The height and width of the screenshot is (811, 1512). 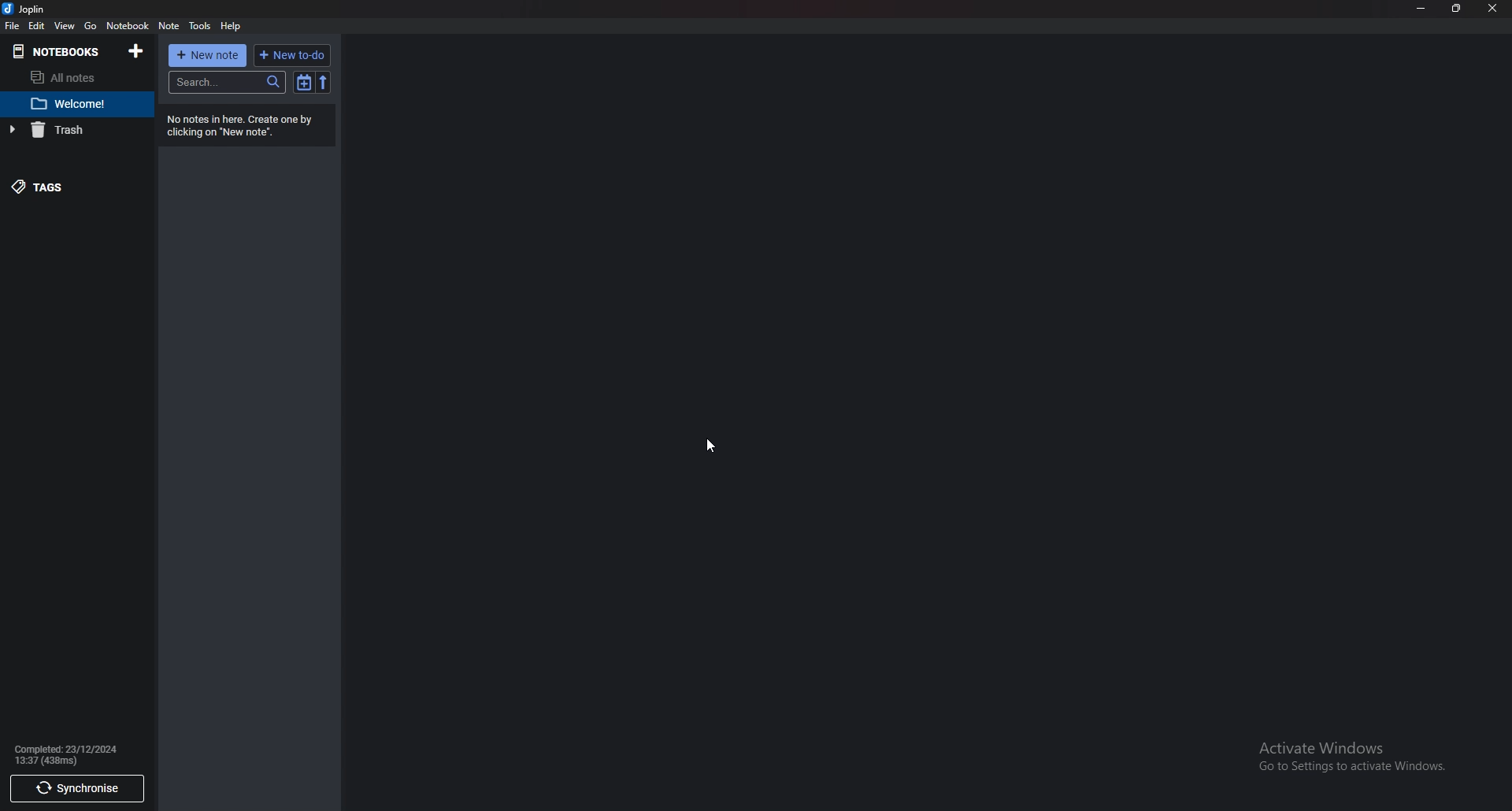 What do you see at coordinates (135, 53) in the screenshot?
I see `Add notebooks` at bounding box center [135, 53].